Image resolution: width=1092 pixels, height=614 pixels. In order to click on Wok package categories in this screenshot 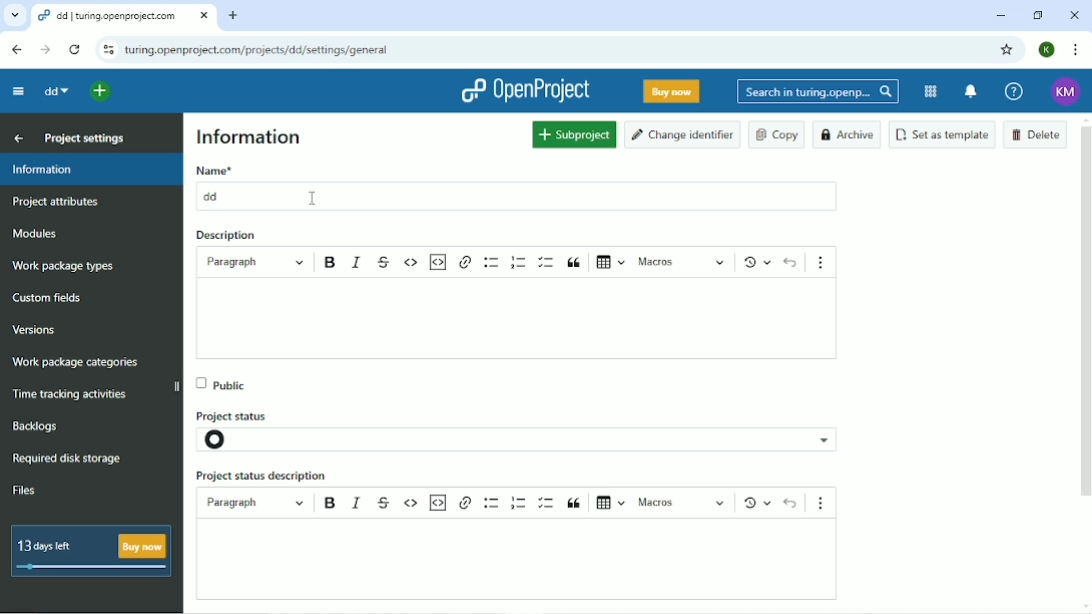, I will do `click(76, 363)`.